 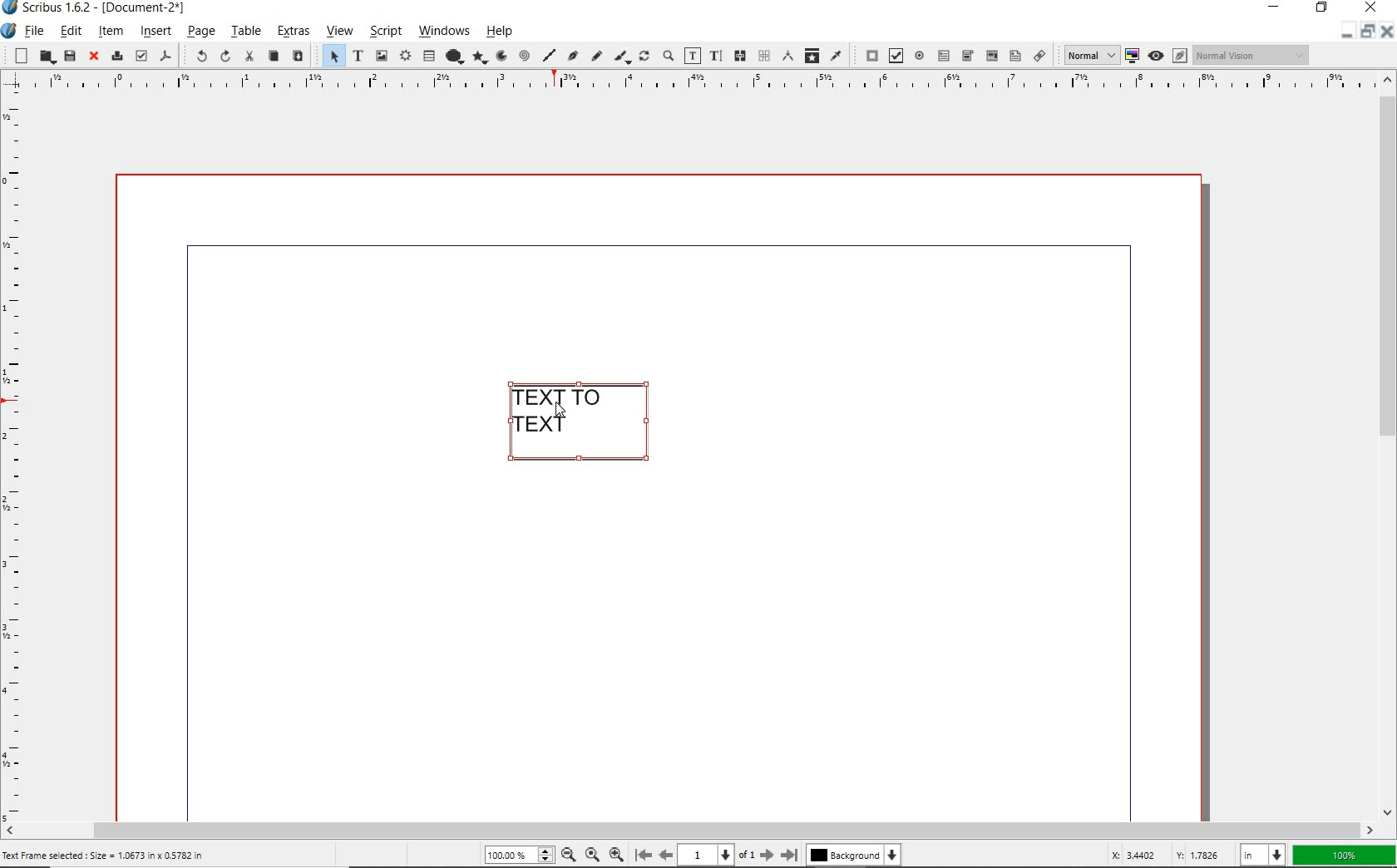 What do you see at coordinates (244, 31) in the screenshot?
I see `table` at bounding box center [244, 31].